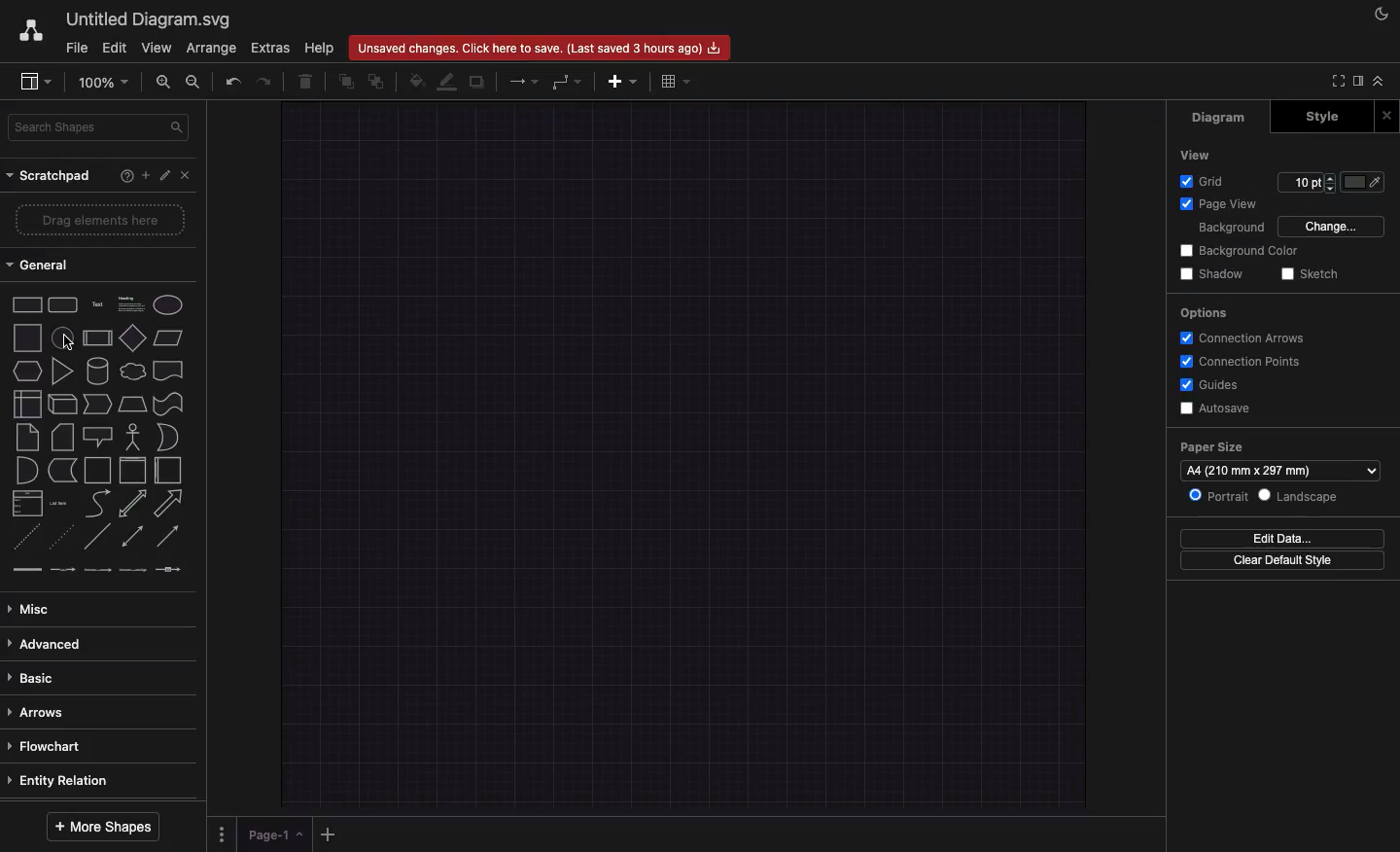  I want to click on Search shapes, so click(102, 128).